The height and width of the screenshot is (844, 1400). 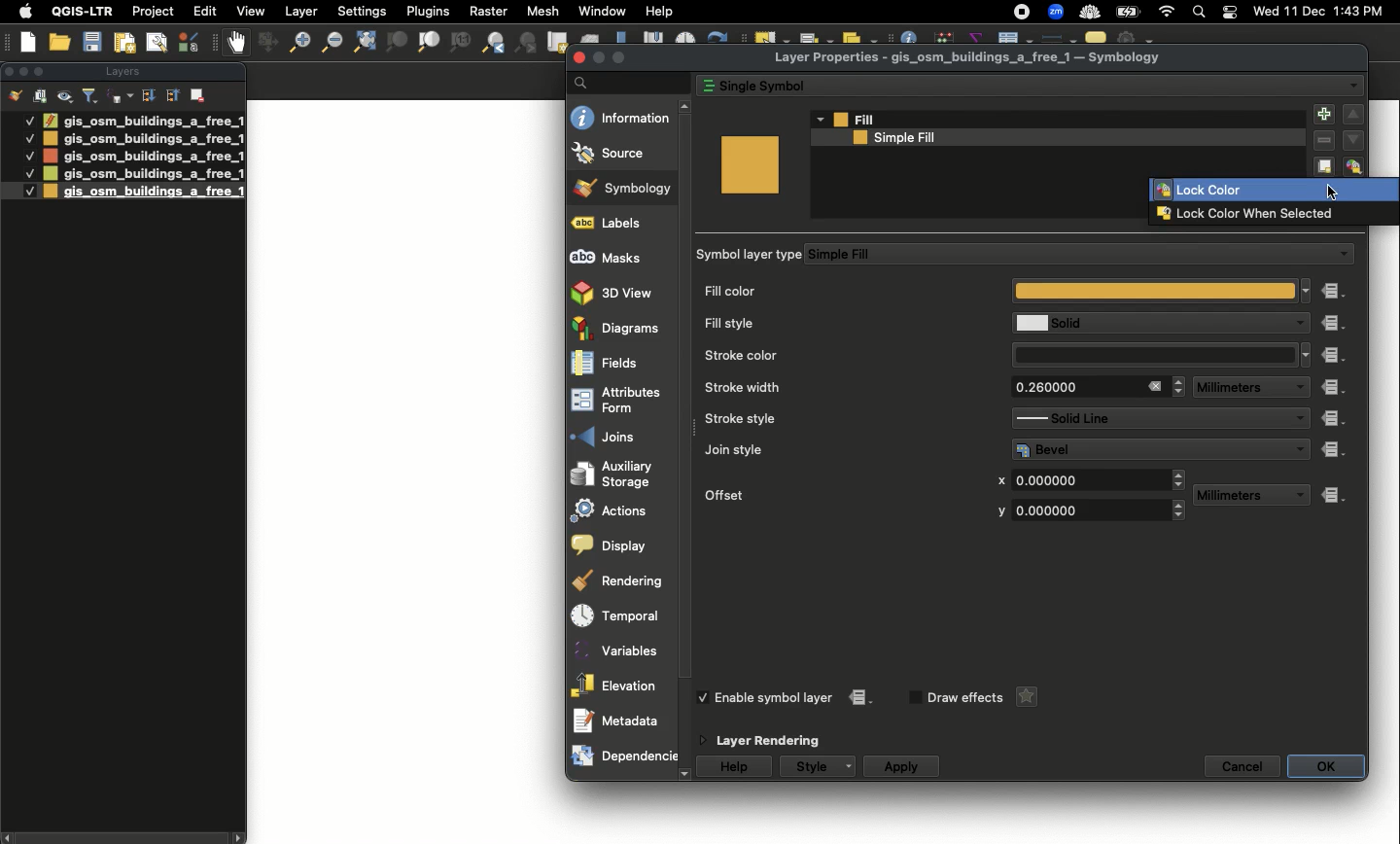 I want to click on Simple Fill, so click(x=1064, y=255).